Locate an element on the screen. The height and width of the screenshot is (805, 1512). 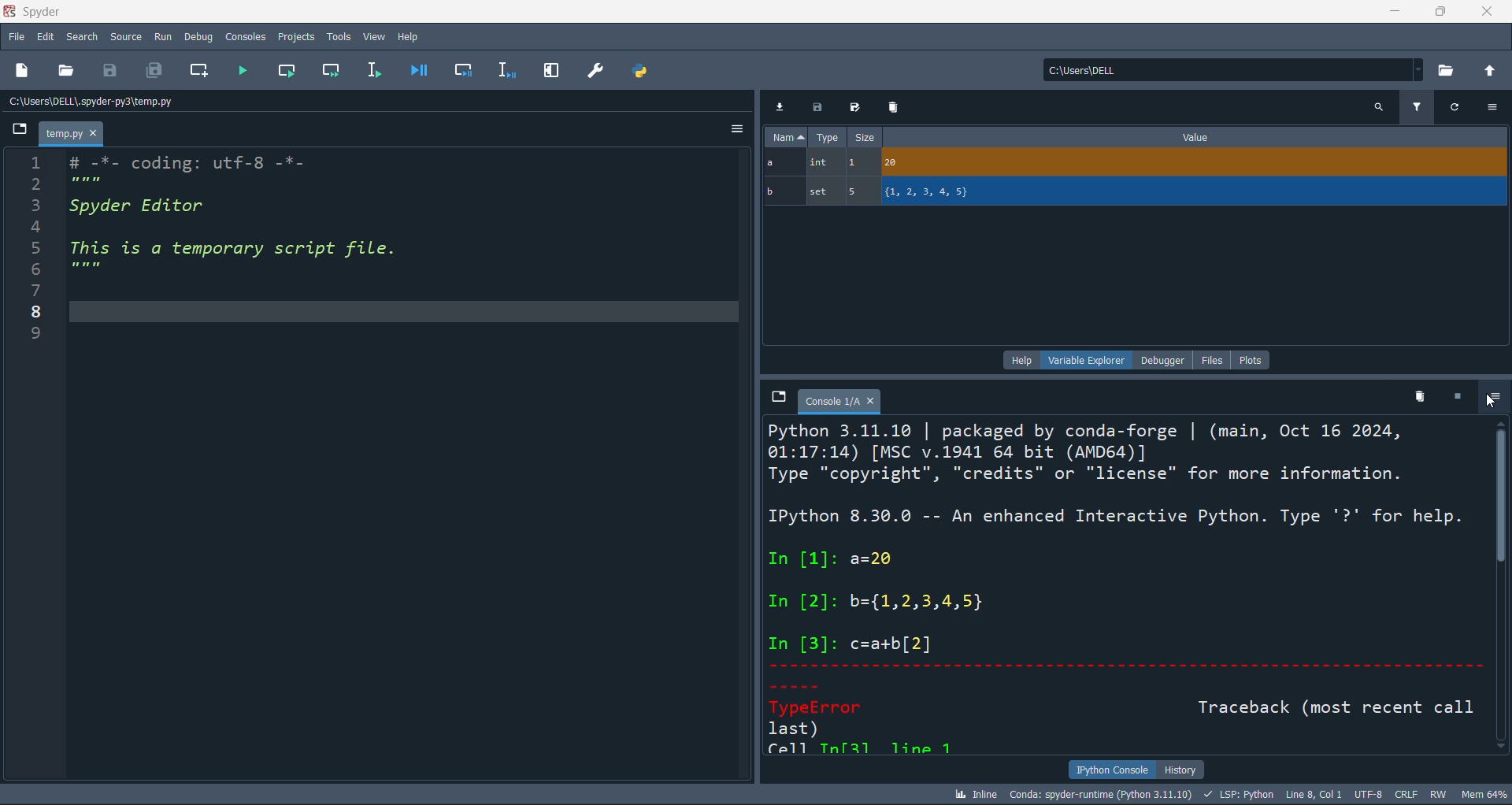
close is located at coordinates (1488, 11).